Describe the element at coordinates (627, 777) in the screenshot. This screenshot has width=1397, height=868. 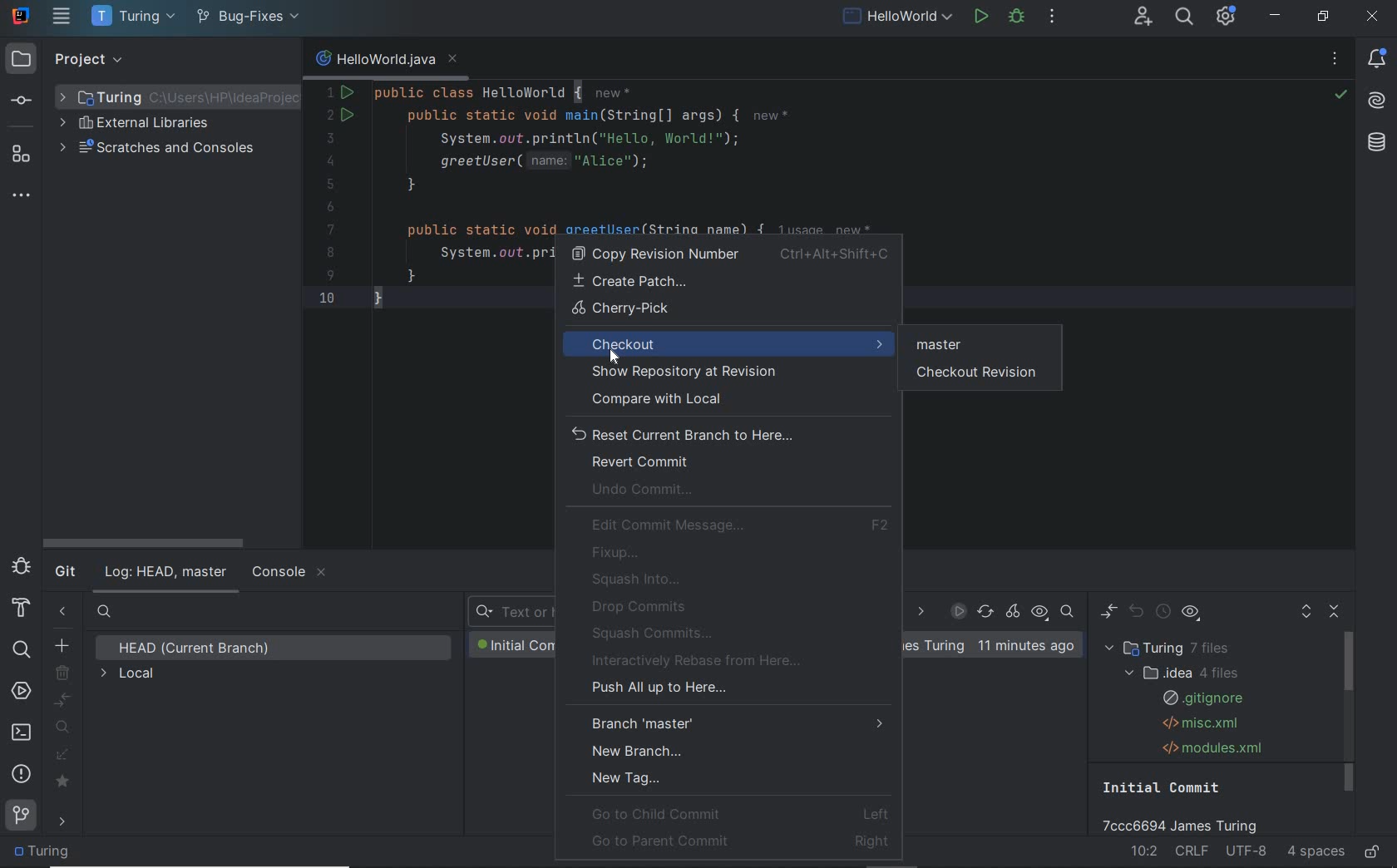
I see `new tag` at that location.